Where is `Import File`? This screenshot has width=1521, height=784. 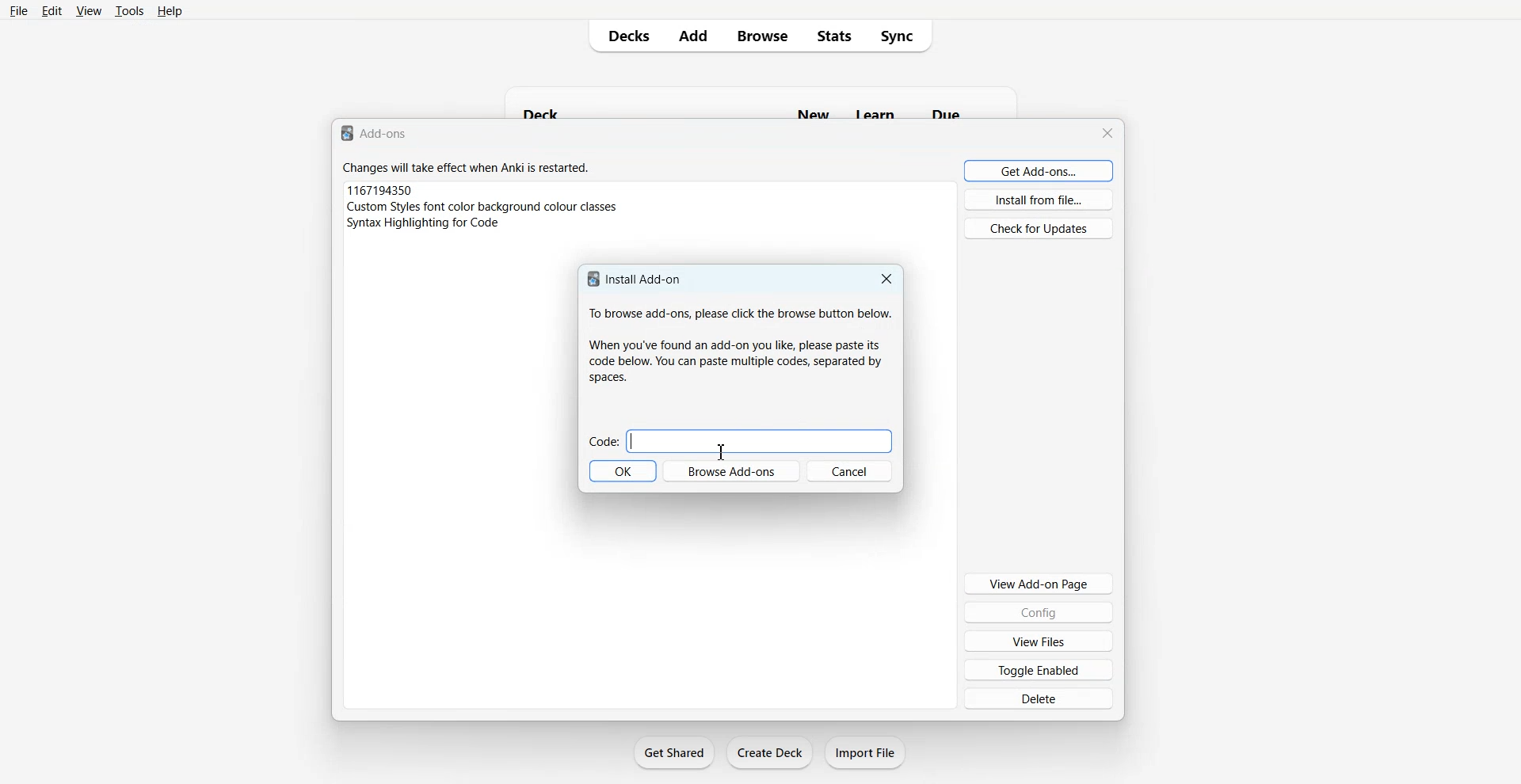 Import File is located at coordinates (866, 752).